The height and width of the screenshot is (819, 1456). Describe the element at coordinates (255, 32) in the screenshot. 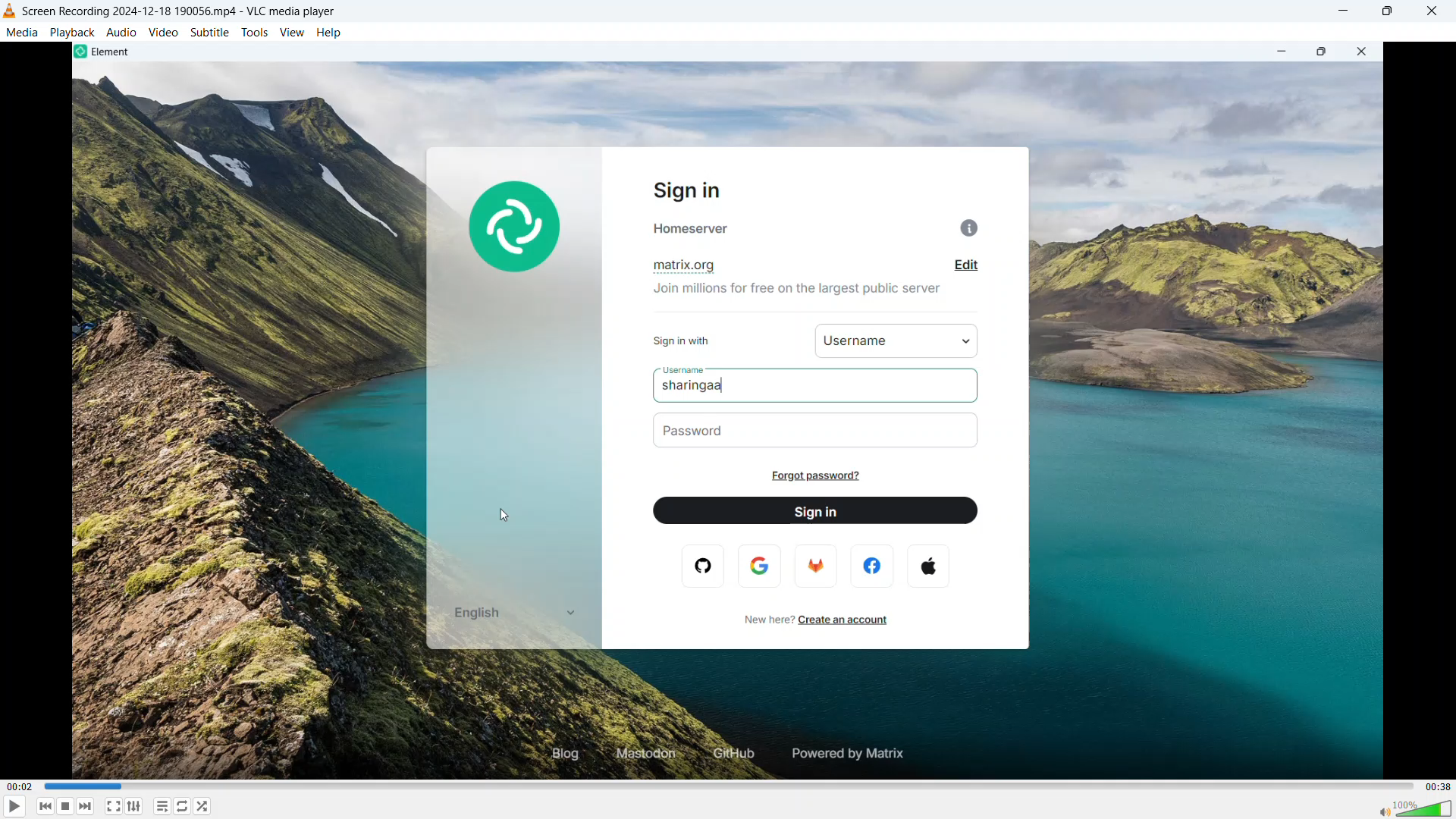

I see `Tools ` at that location.